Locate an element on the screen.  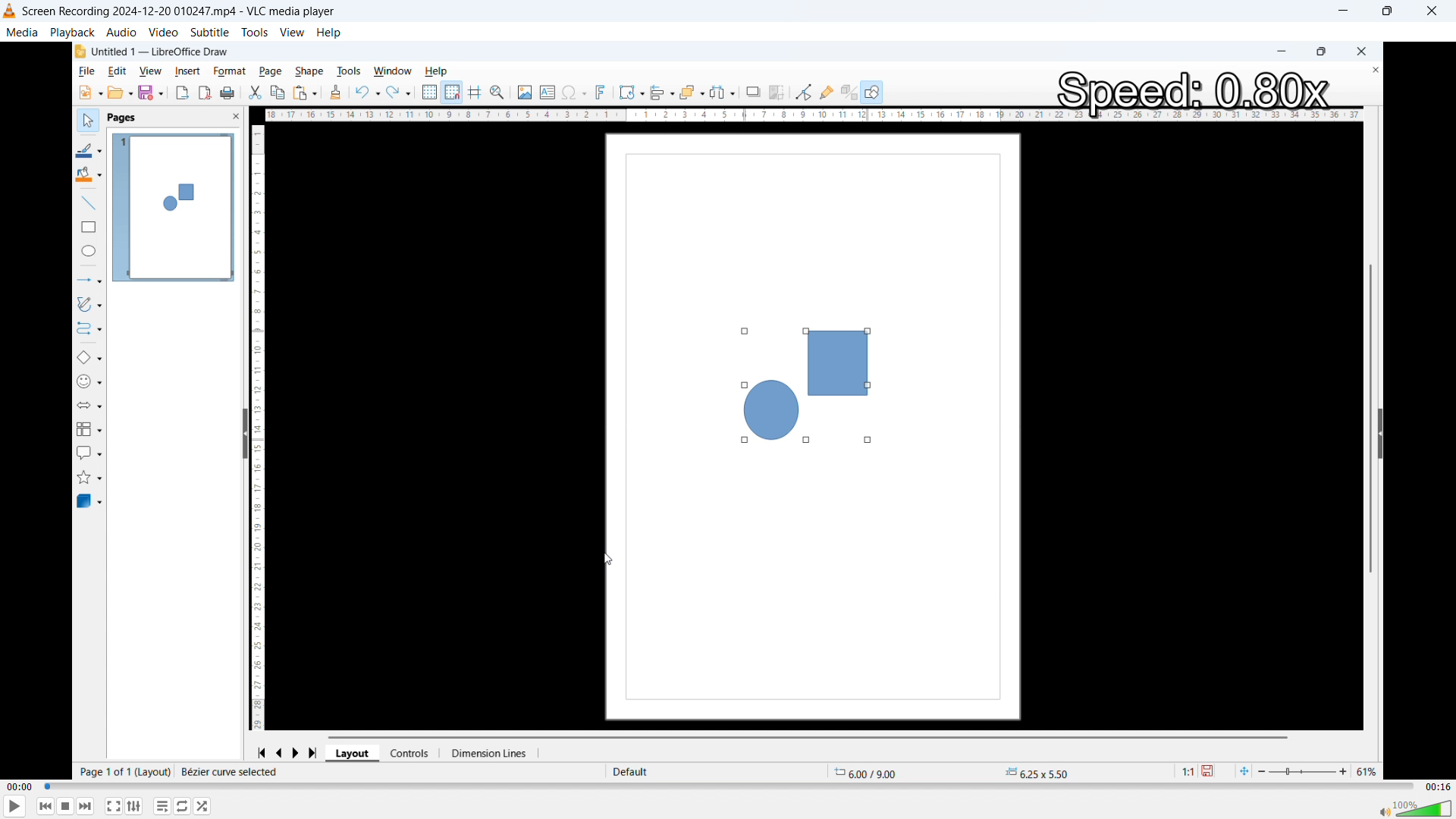
Toggle between loop all no loop and loop one  is located at coordinates (183, 805).